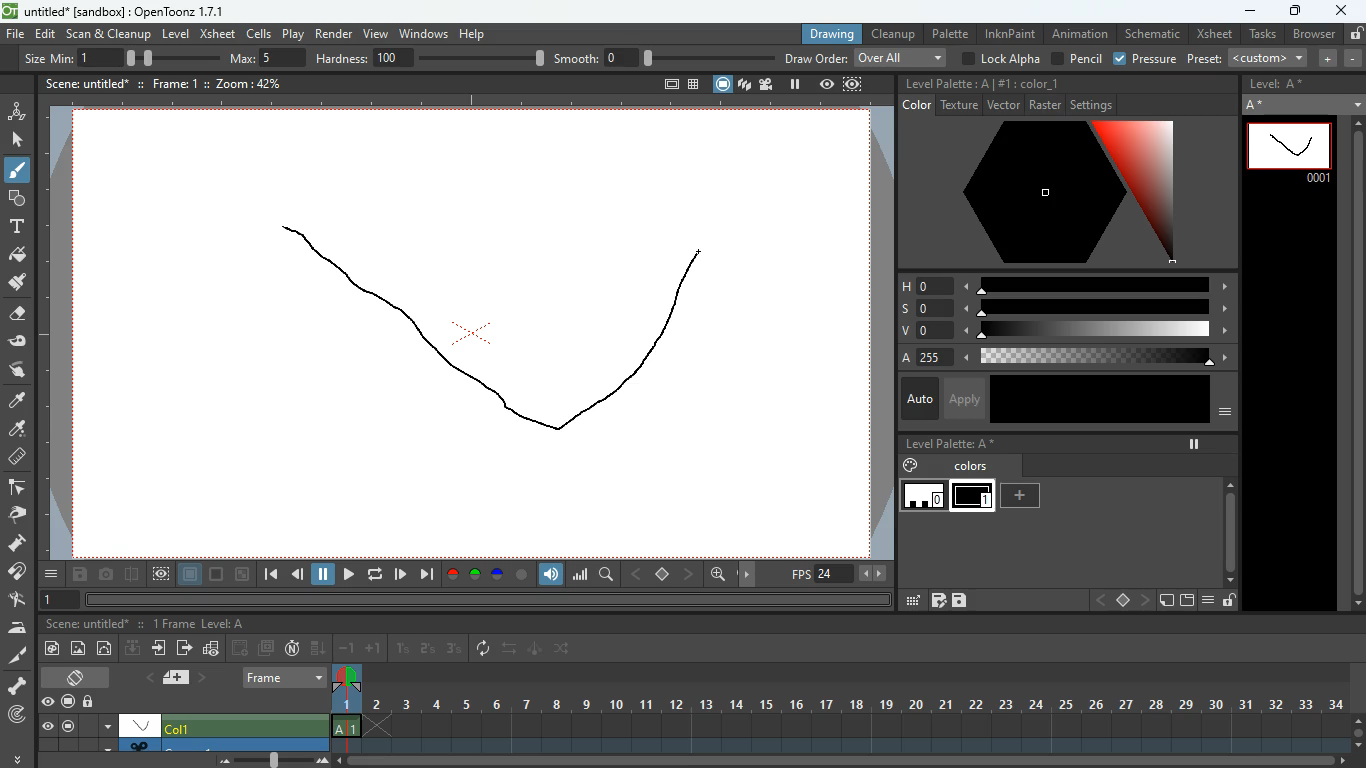 This screenshot has height=768, width=1366. I want to click on blue, so click(499, 577).